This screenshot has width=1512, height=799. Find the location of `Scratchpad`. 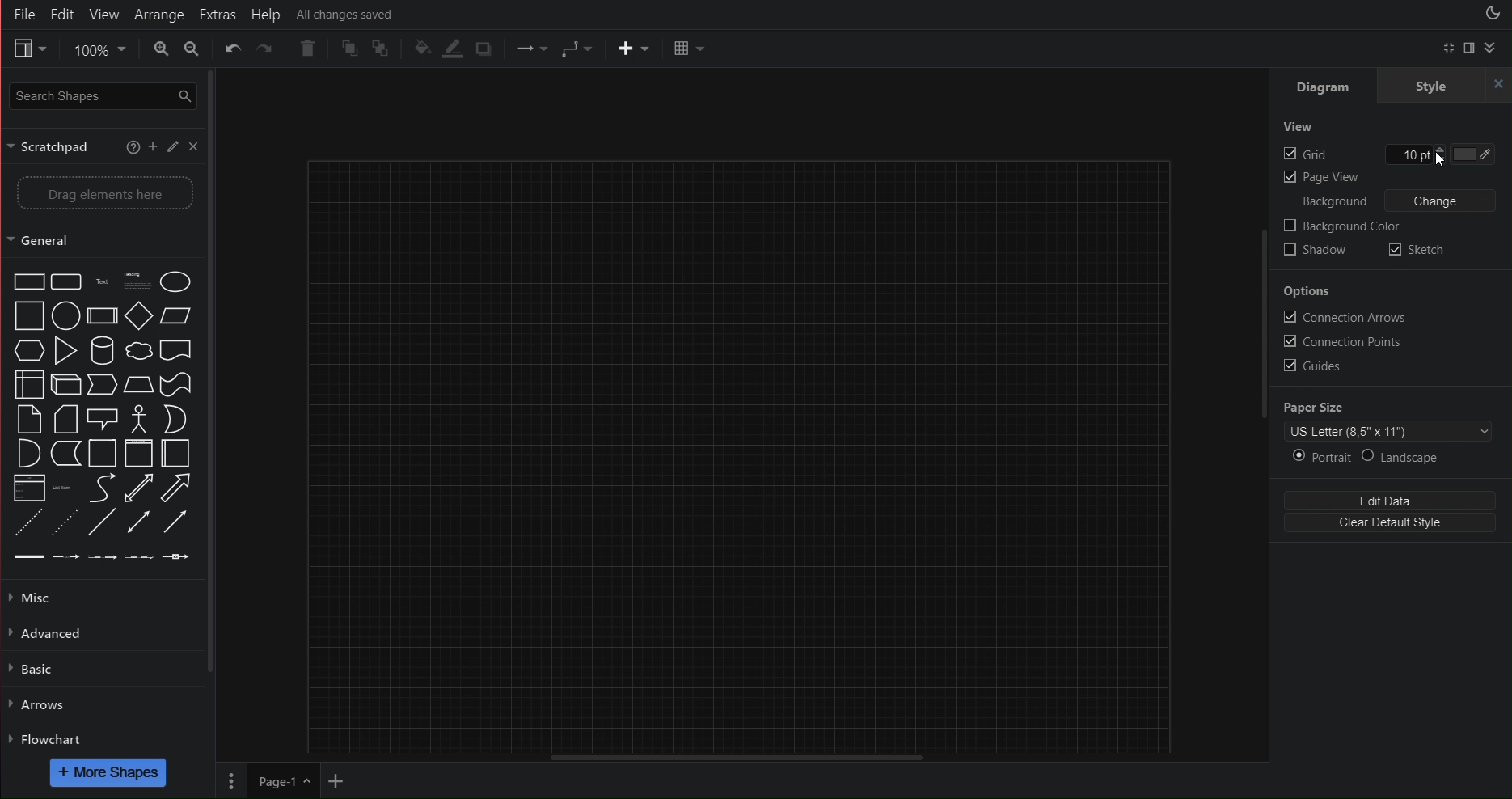

Scratchpad is located at coordinates (52, 146).